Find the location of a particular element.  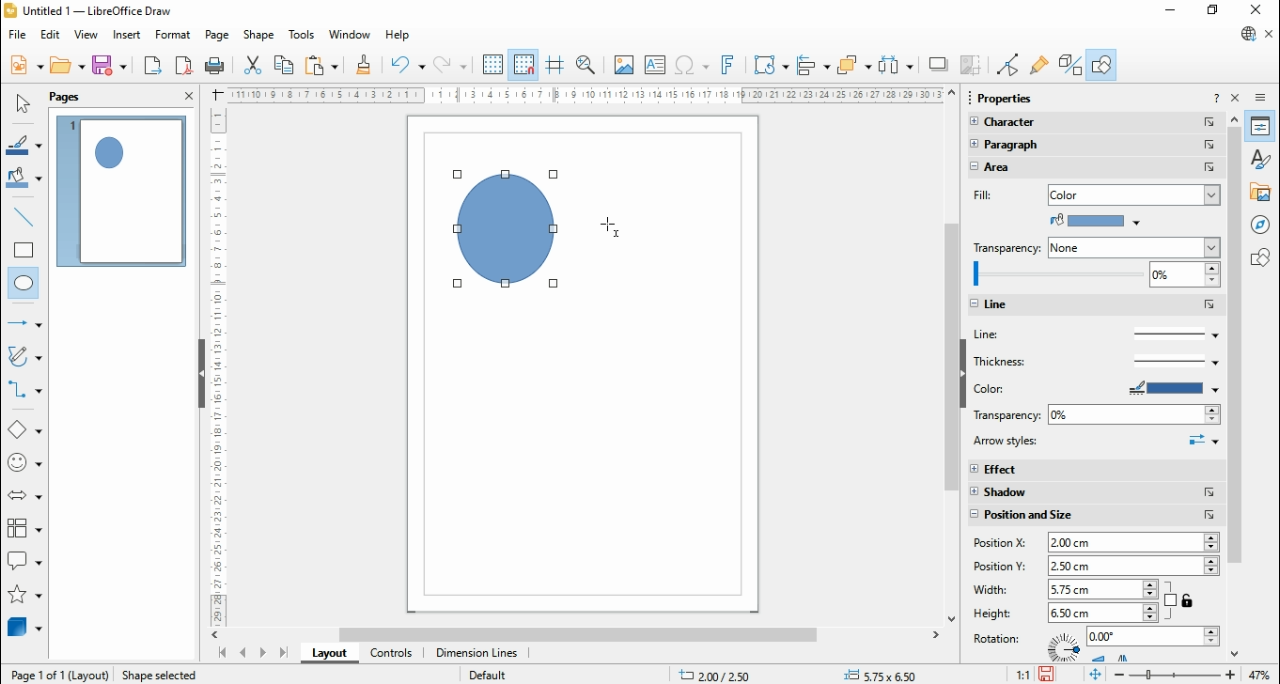

insert line is located at coordinates (26, 217).